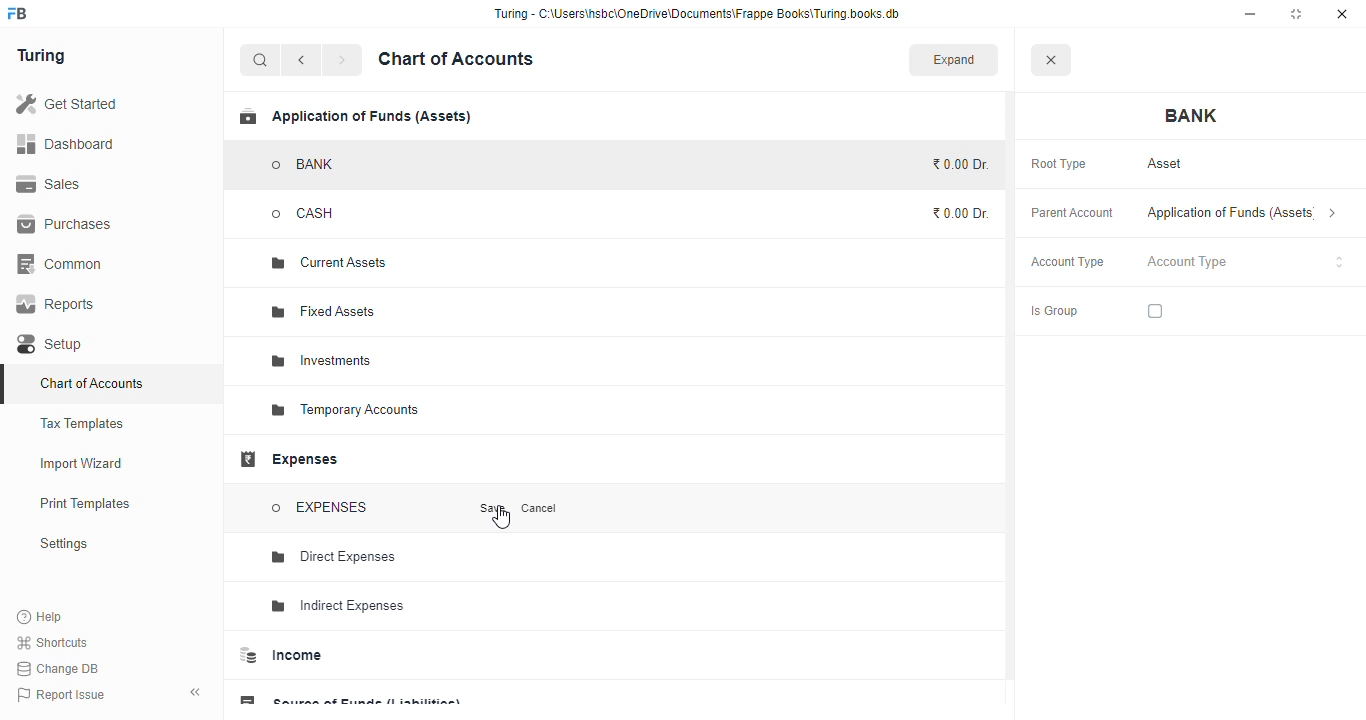 The image size is (1366, 720). What do you see at coordinates (92, 383) in the screenshot?
I see `chart of accounts` at bounding box center [92, 383].